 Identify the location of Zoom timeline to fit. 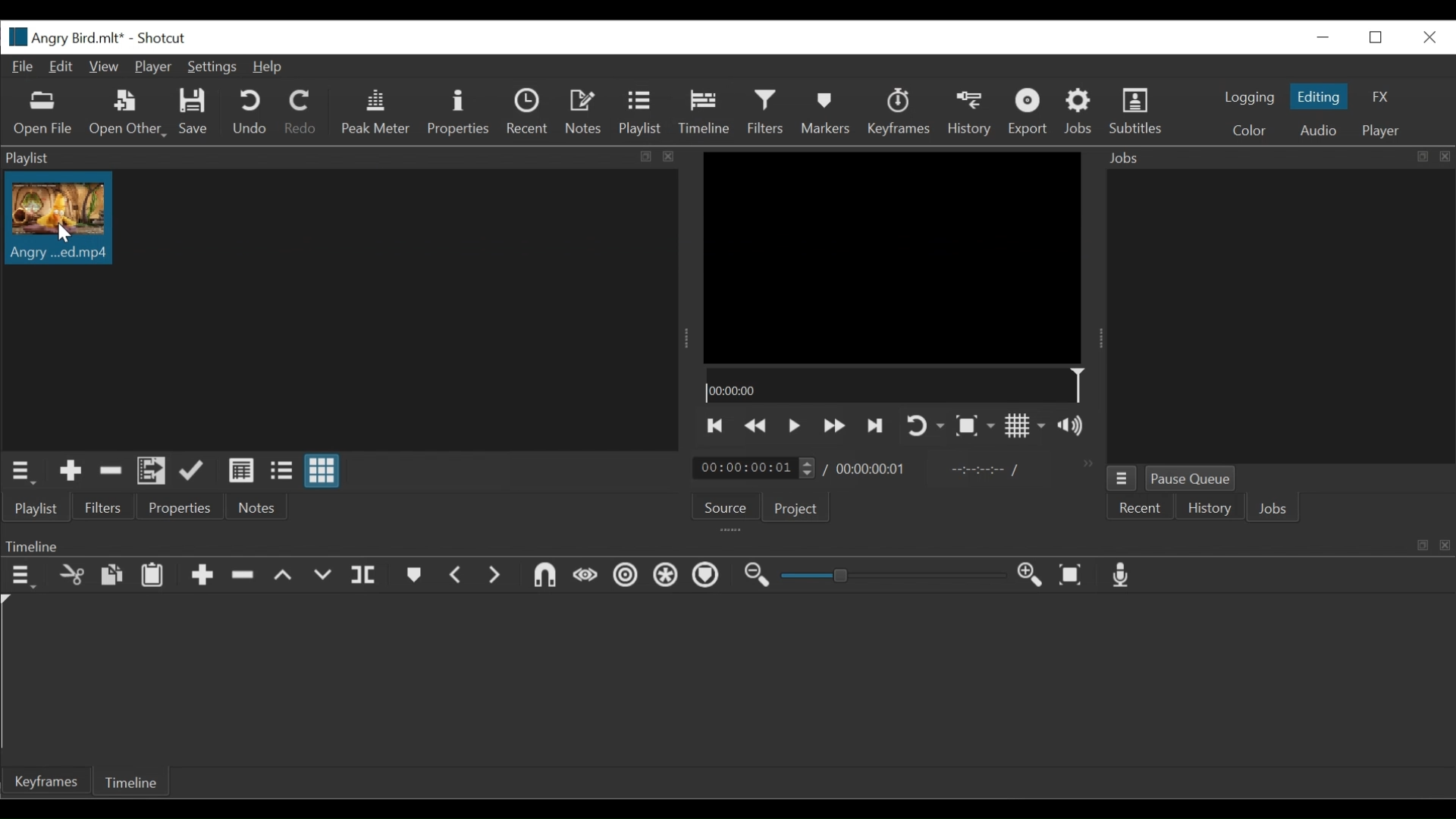
(1072, 576).